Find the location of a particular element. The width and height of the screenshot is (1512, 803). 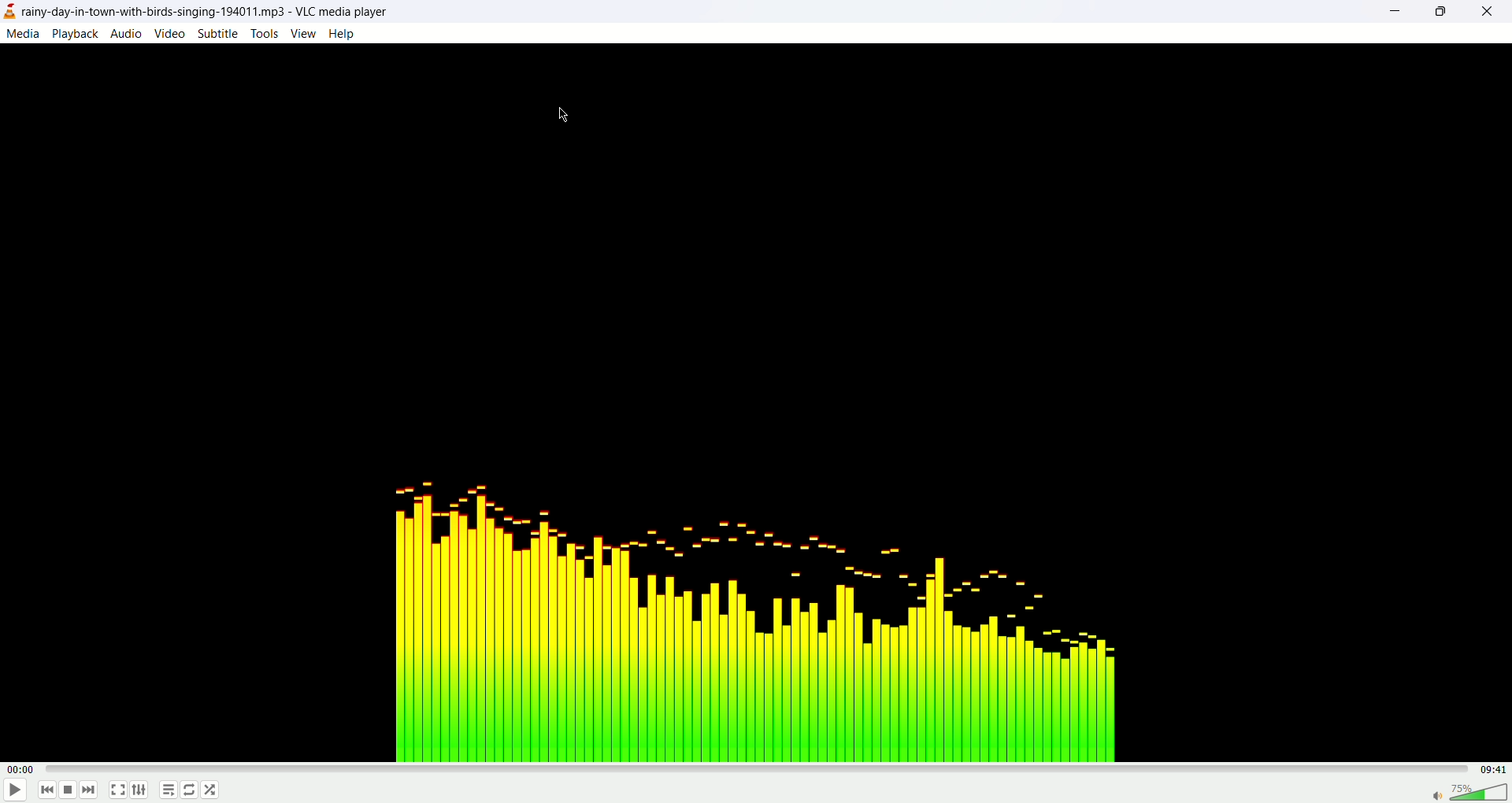

close is located at coordinates (1495, 12).